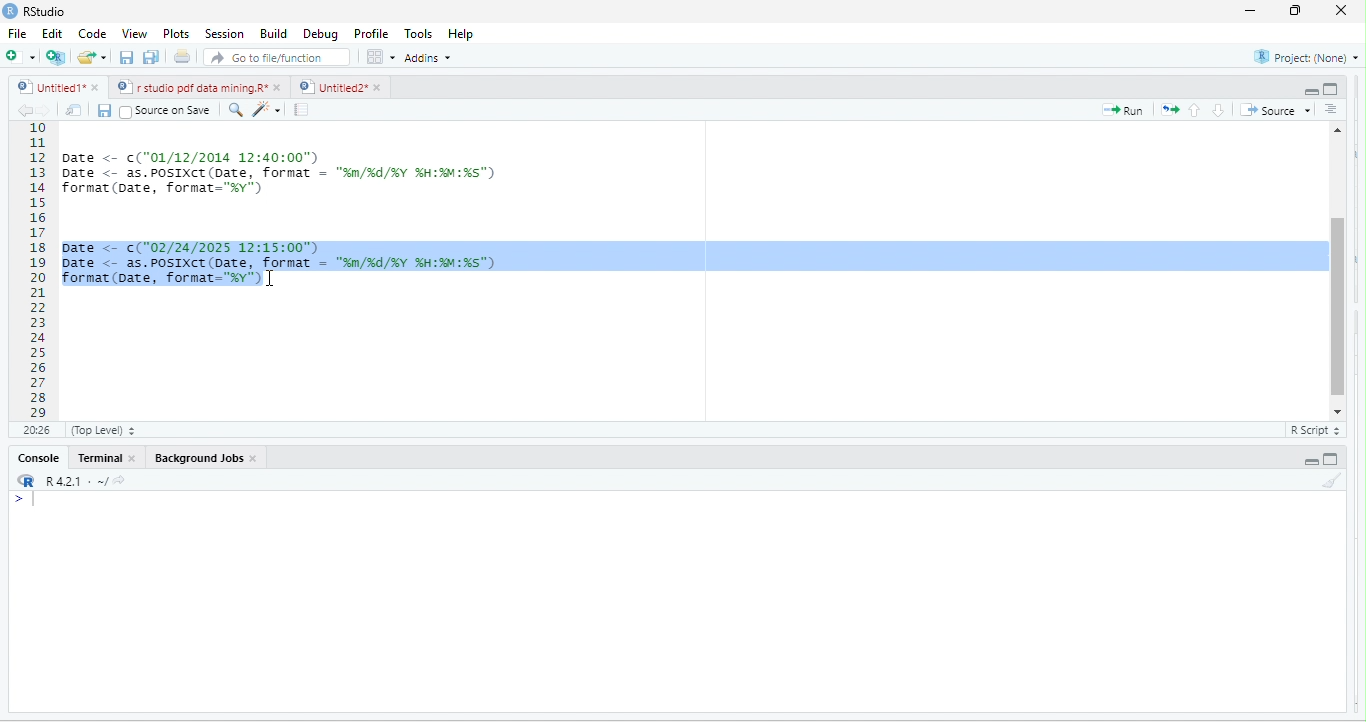  I want to click on find/ replace, so click(232, 110).